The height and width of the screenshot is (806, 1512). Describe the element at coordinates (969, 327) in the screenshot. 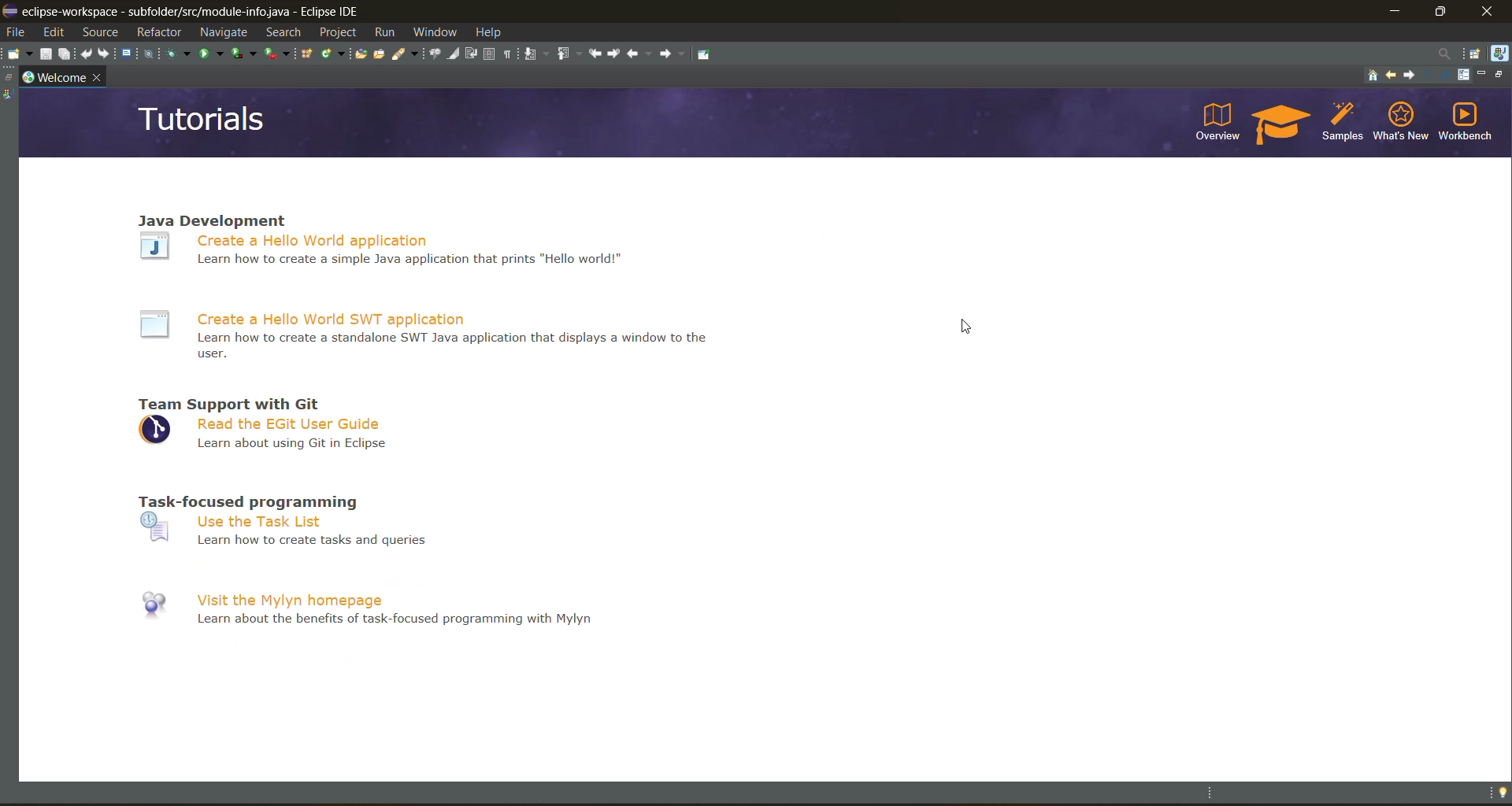

I see `cursor` at that location.